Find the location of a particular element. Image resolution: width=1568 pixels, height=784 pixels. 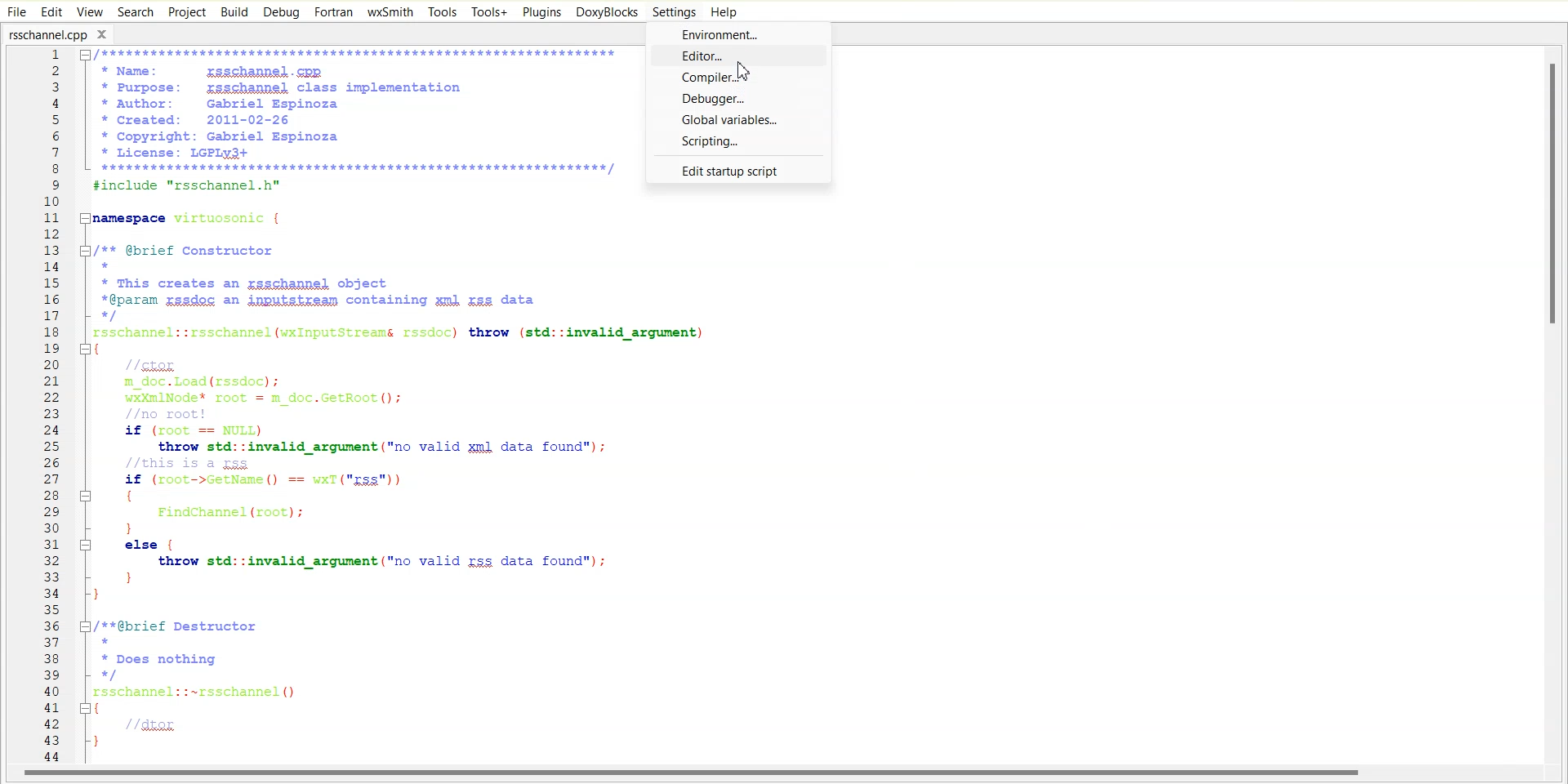

Global variable is located at coordinates (739, 120).